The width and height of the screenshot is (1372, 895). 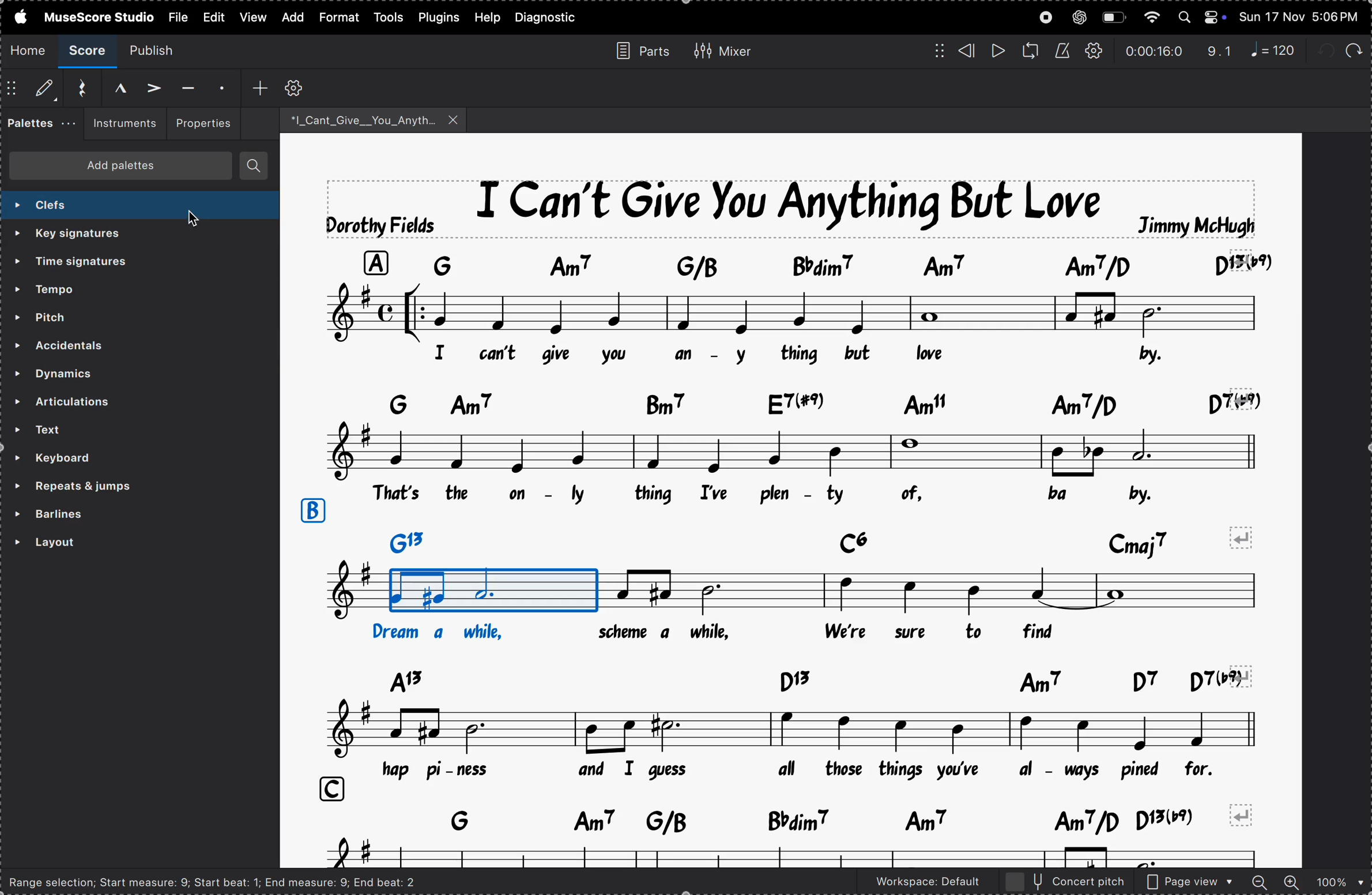 I want to click on rewind, so click(x=967, y=51).